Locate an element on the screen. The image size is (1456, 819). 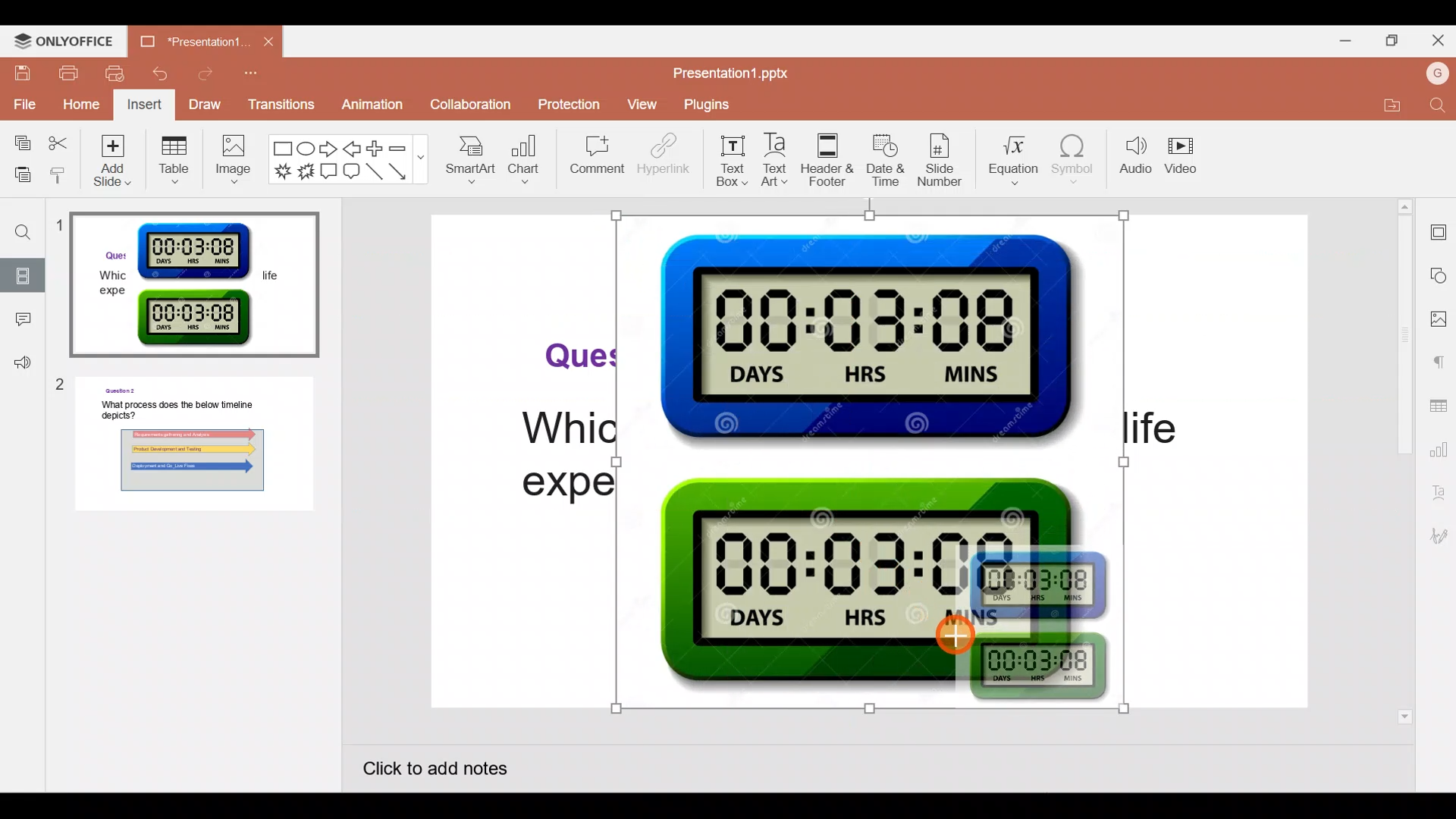
Maximize is located at coordinates (1392, 39).